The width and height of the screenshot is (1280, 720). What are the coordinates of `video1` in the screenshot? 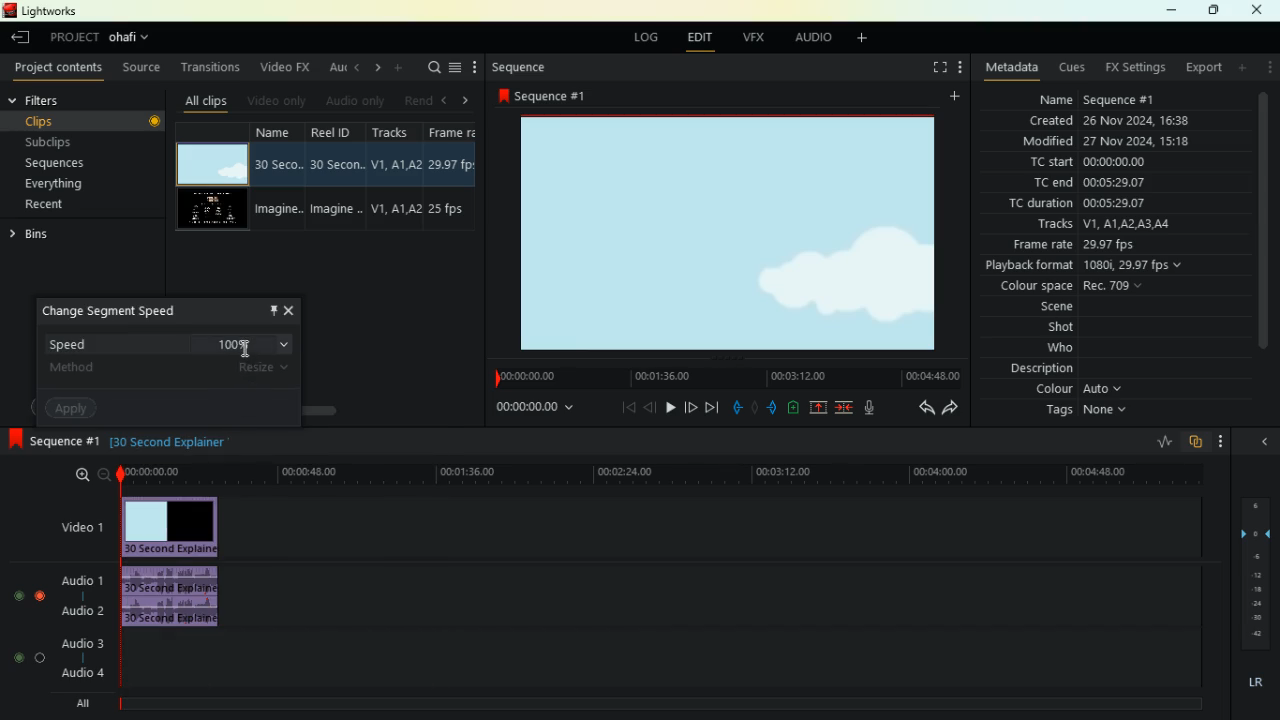 It's located at (78, 526).